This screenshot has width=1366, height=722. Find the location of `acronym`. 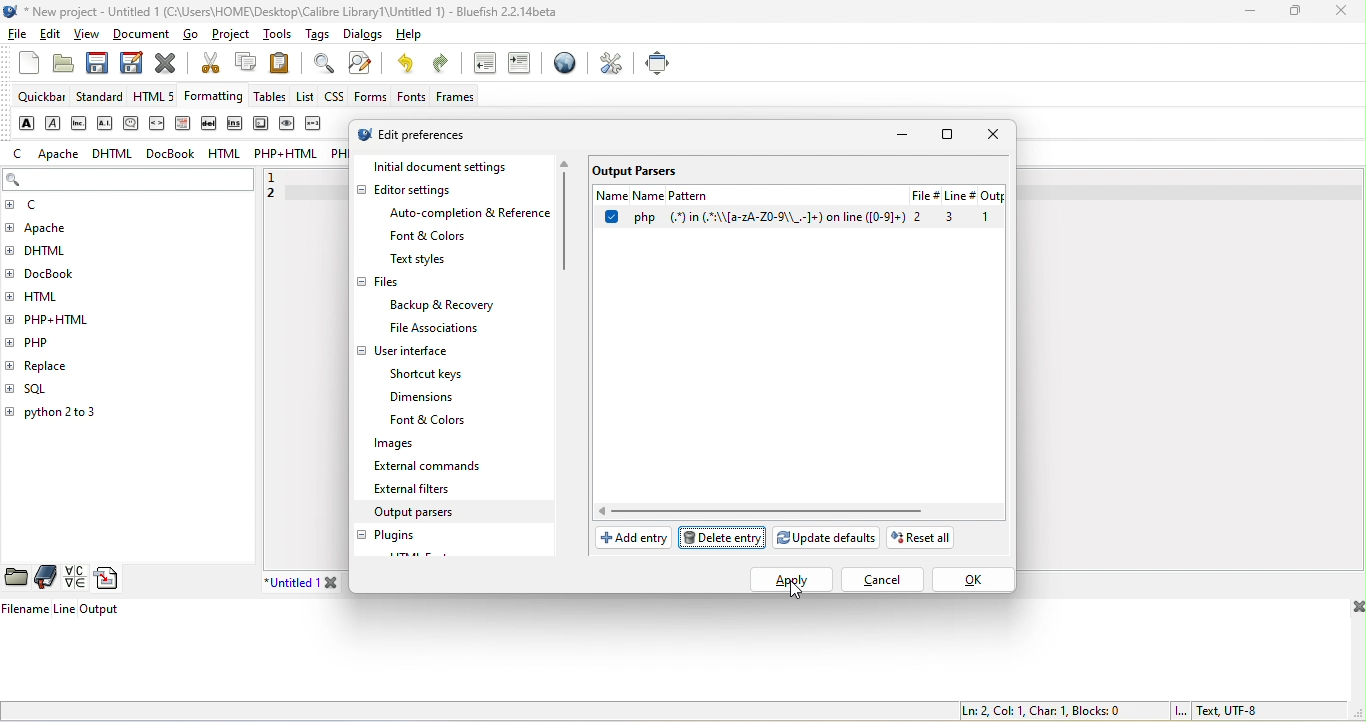

acronym is located at coordinates (107, 123).